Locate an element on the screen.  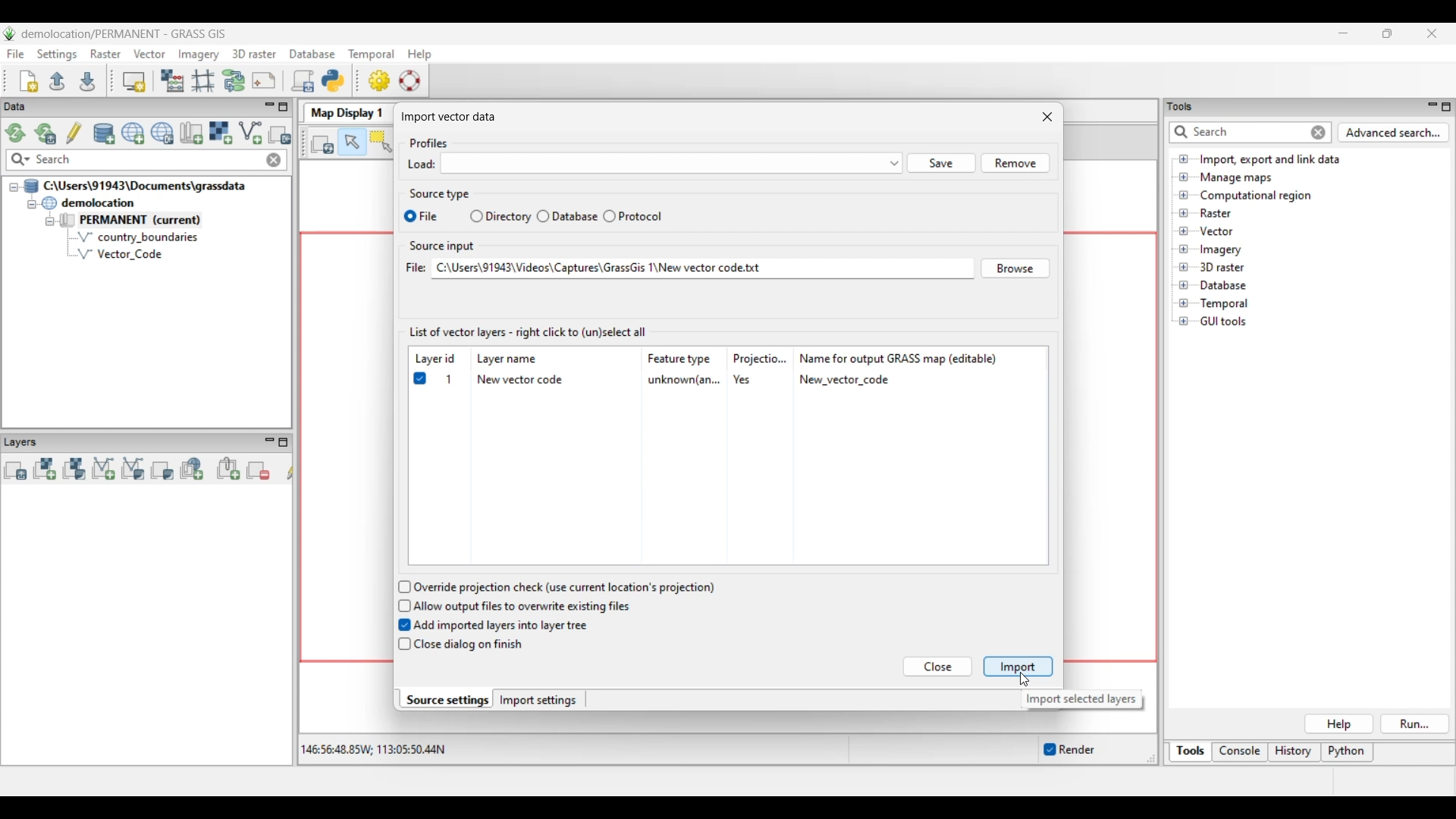
Add imported layers into layer tree is located at coordinates (494, 625).